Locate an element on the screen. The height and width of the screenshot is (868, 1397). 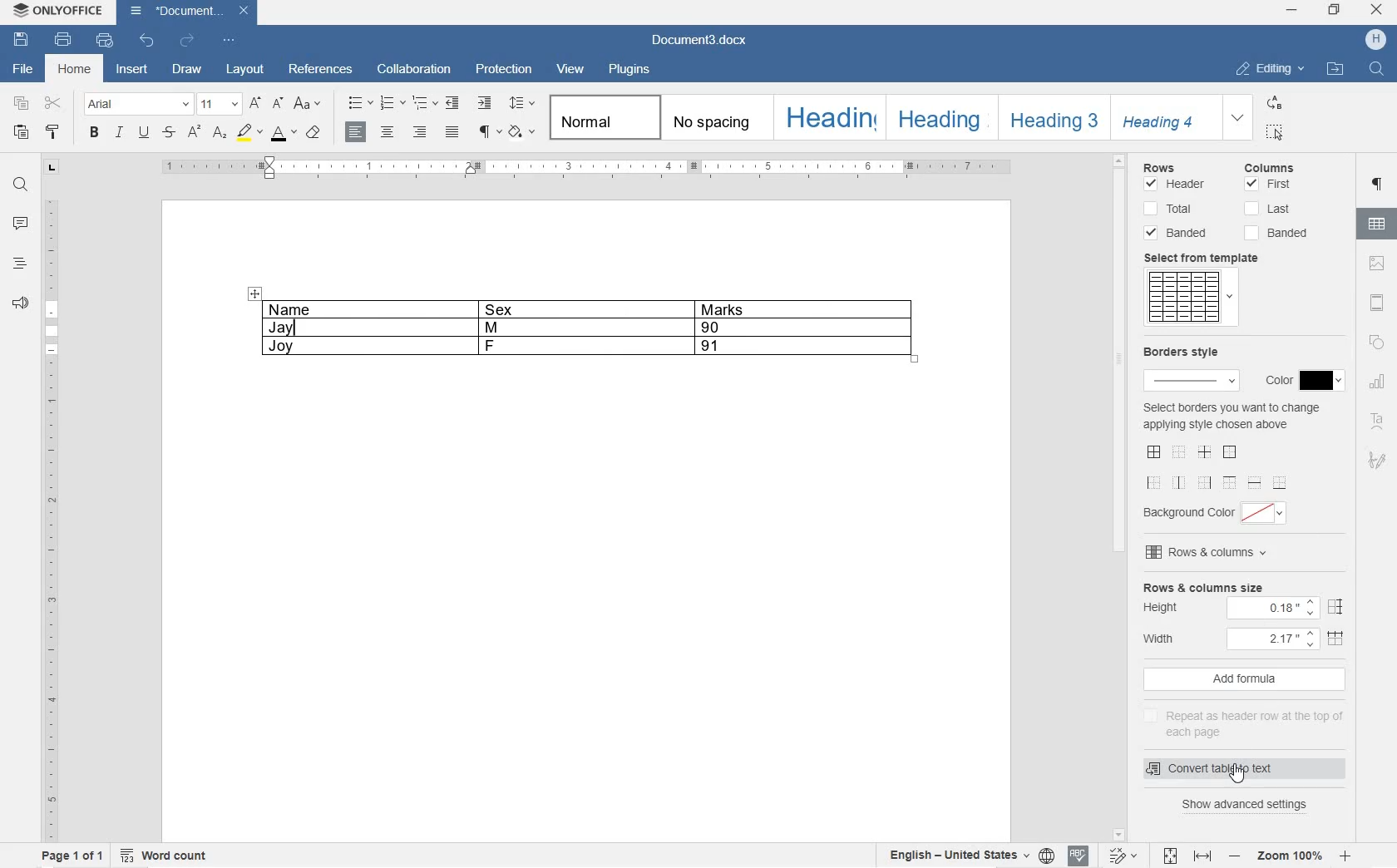
REPLACE is located at coordinates (1275, 102).